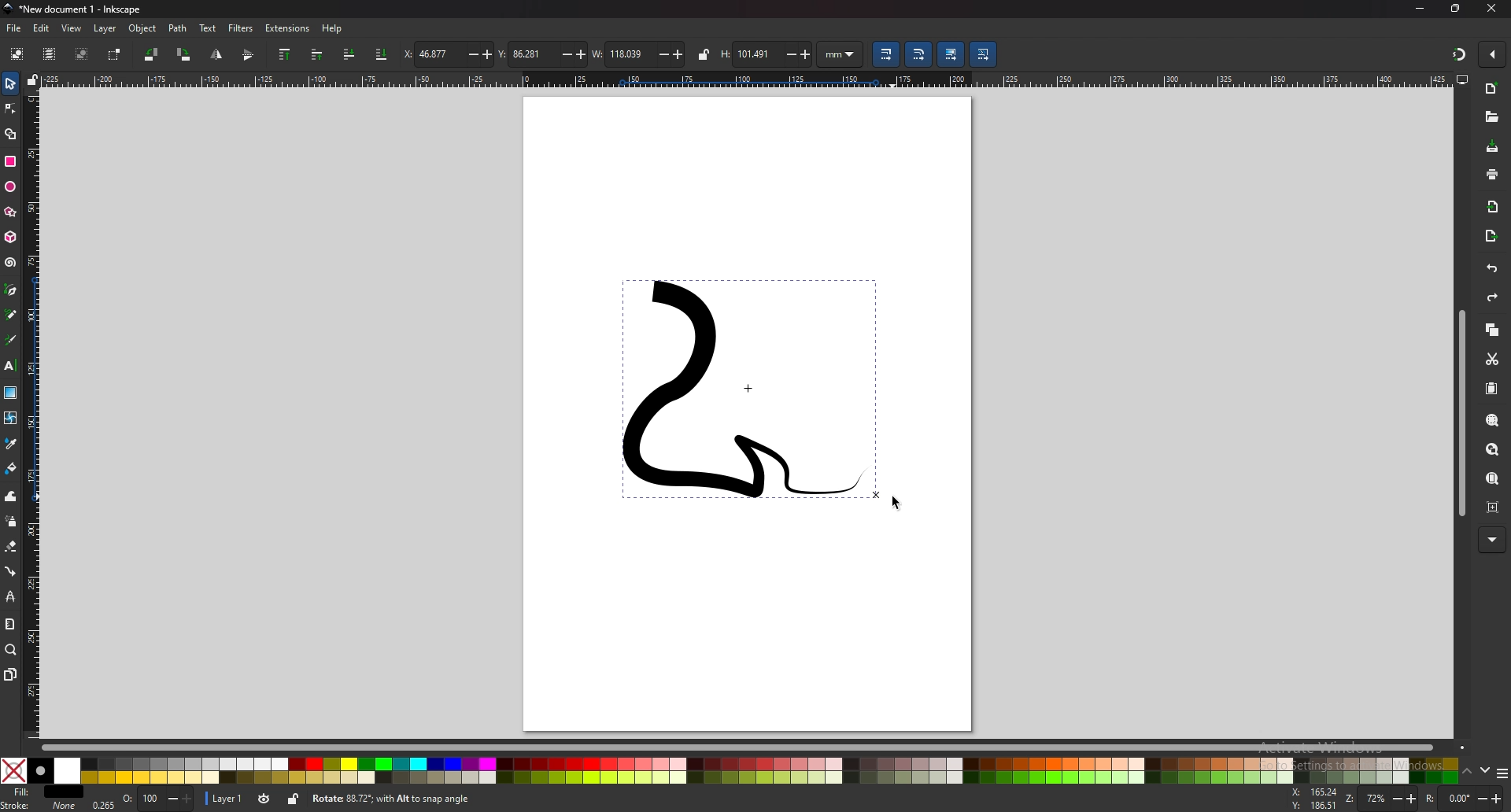 Image resolution: width=1511 pixels, height=812 pixels. Describe the element at coordinates (11, 83) in the screenshot. I see `selector` at that location.